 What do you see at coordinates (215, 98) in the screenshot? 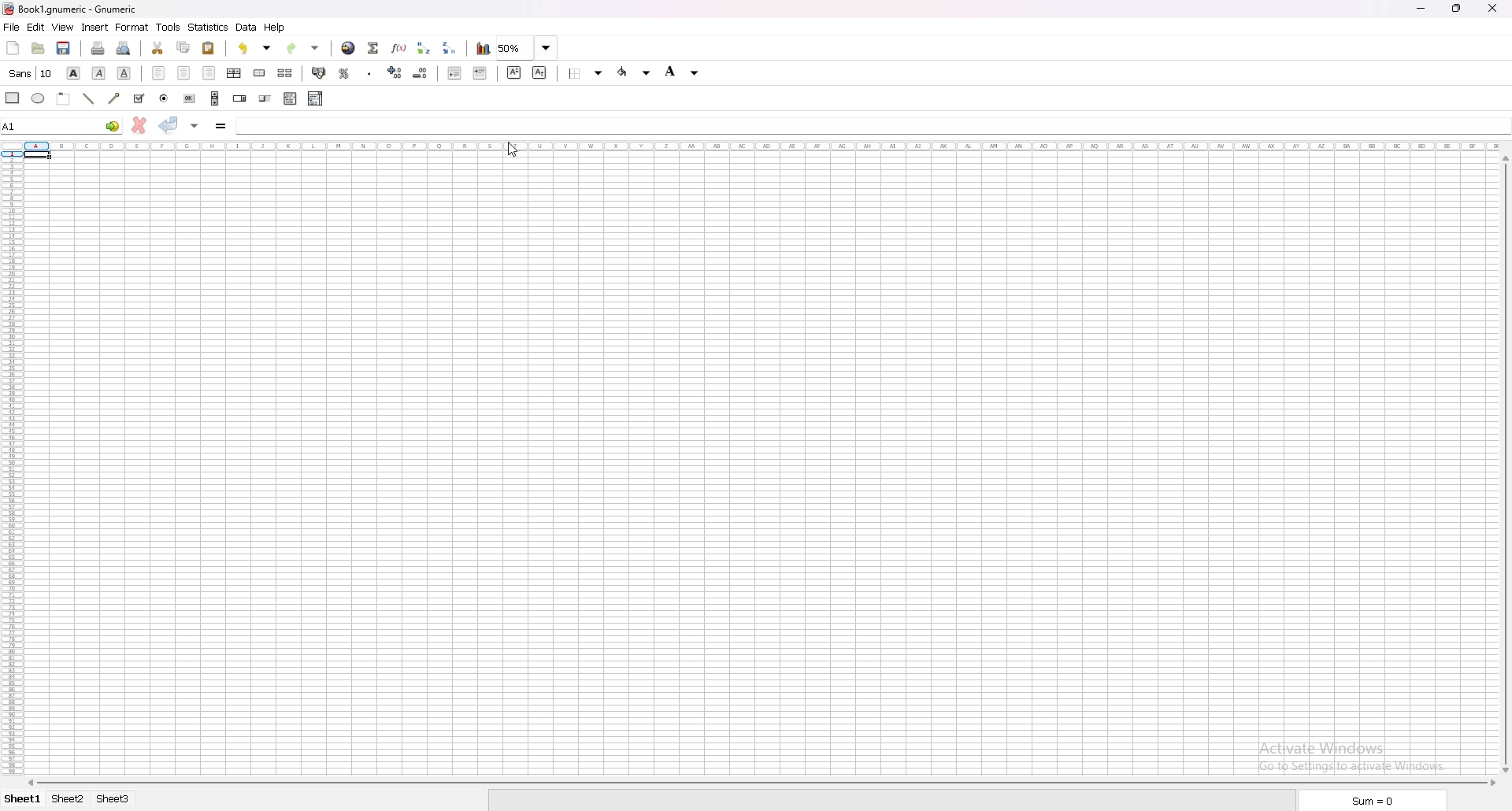
I see `scroll bar` at bounding box center [215, 98].